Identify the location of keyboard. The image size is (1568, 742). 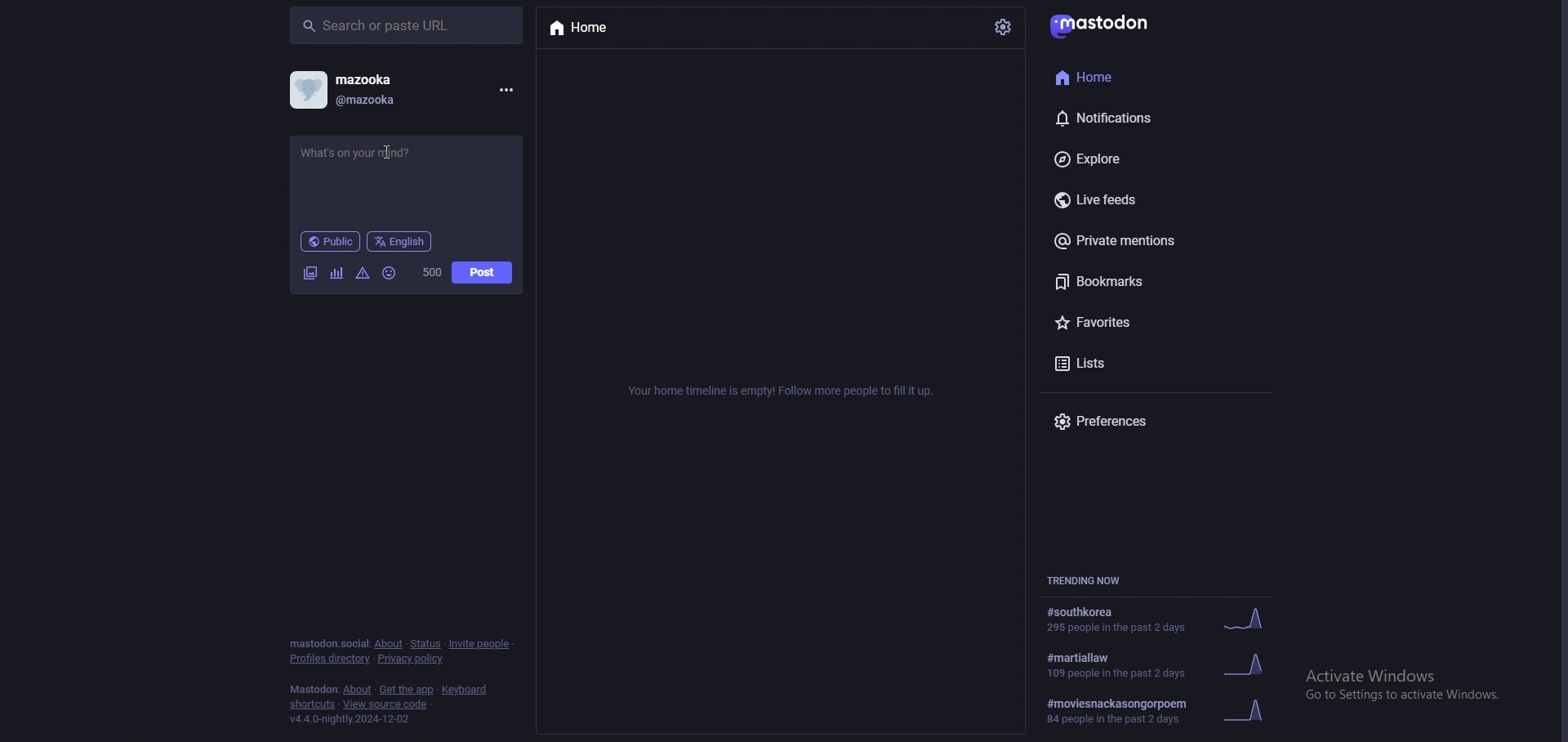
(463, 689).